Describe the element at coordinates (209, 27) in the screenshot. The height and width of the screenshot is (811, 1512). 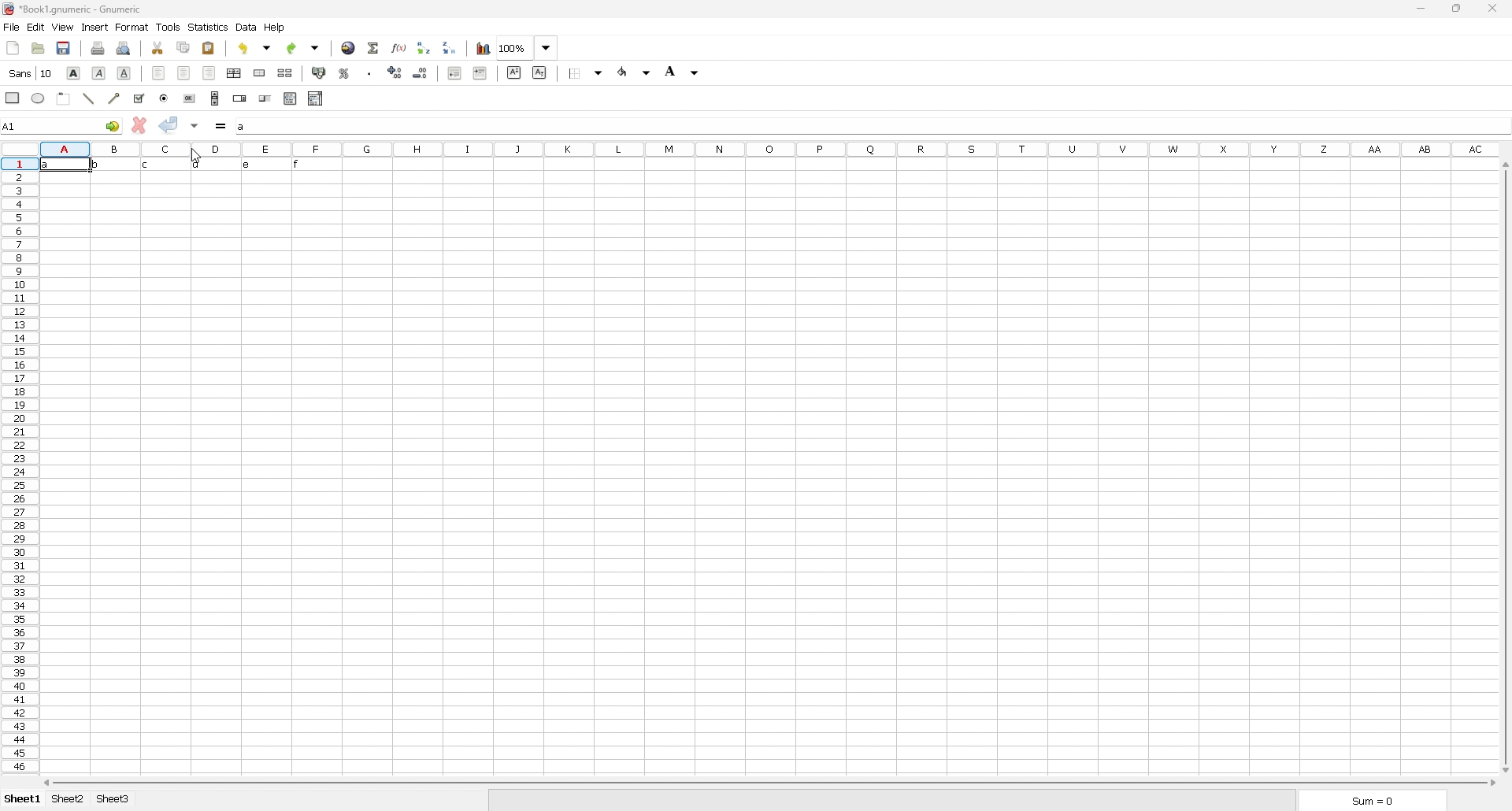
I see `statistics` at that location.